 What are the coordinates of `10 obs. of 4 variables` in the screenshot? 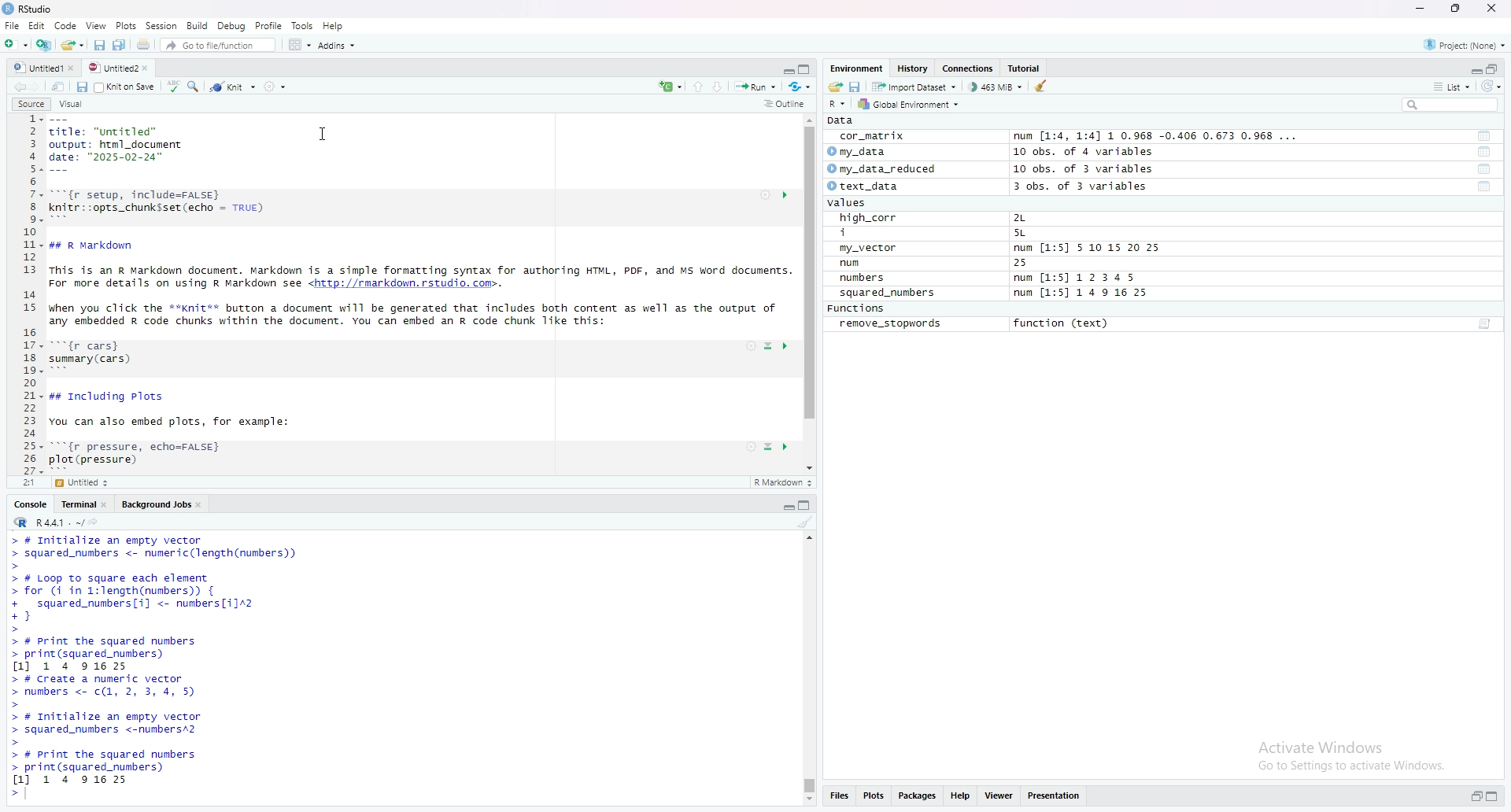 It's located at (1097, 151).